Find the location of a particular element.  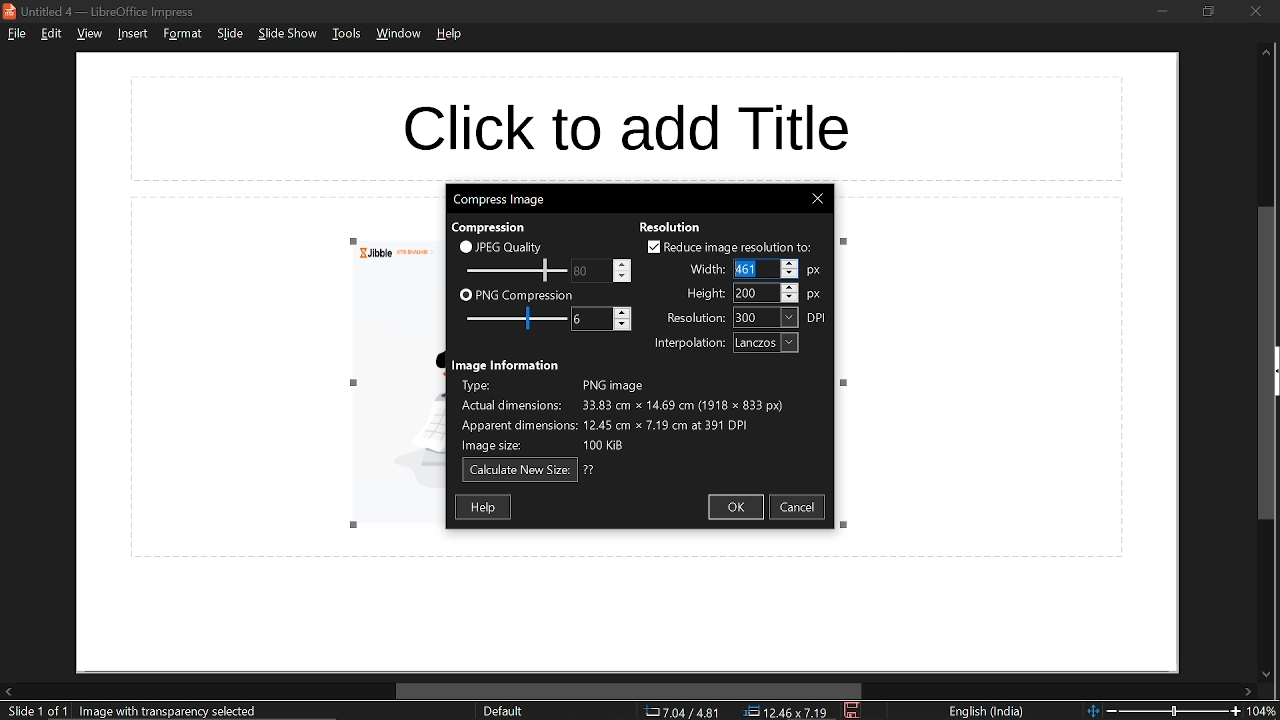

resolution is located at coordinates (766, 318).